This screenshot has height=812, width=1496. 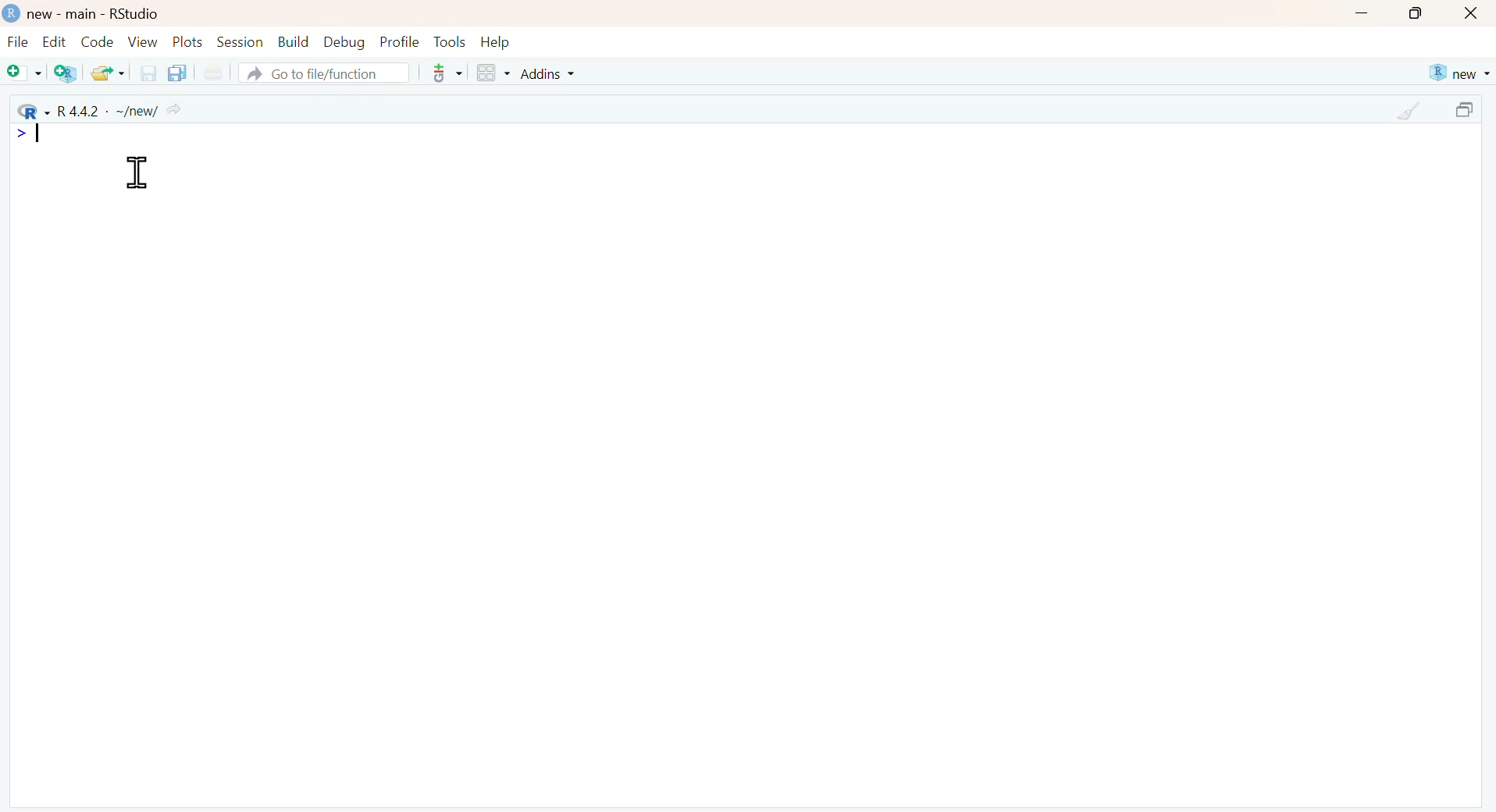 What do you see at coordinates (1468, 112) in the screenshot?
I see `maximize` at bounding box center [1468, 112].